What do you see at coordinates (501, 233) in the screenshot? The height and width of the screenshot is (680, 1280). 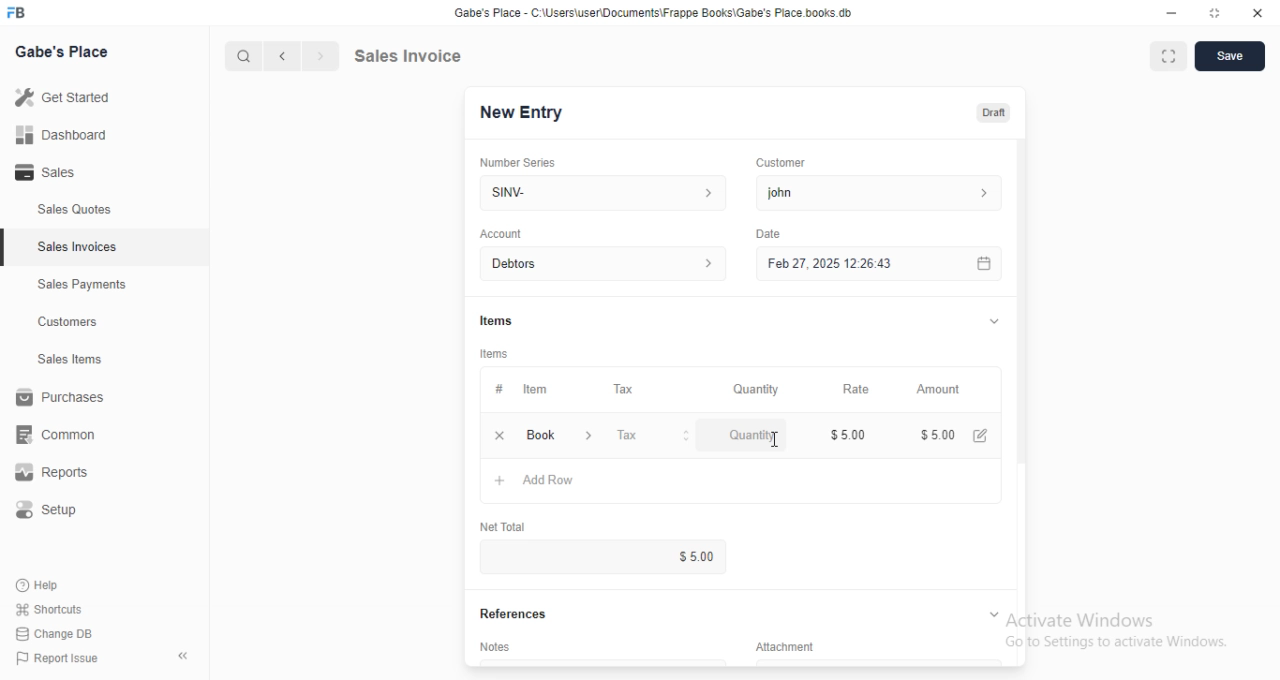 I see `Account` at bounding box center [501, 233].